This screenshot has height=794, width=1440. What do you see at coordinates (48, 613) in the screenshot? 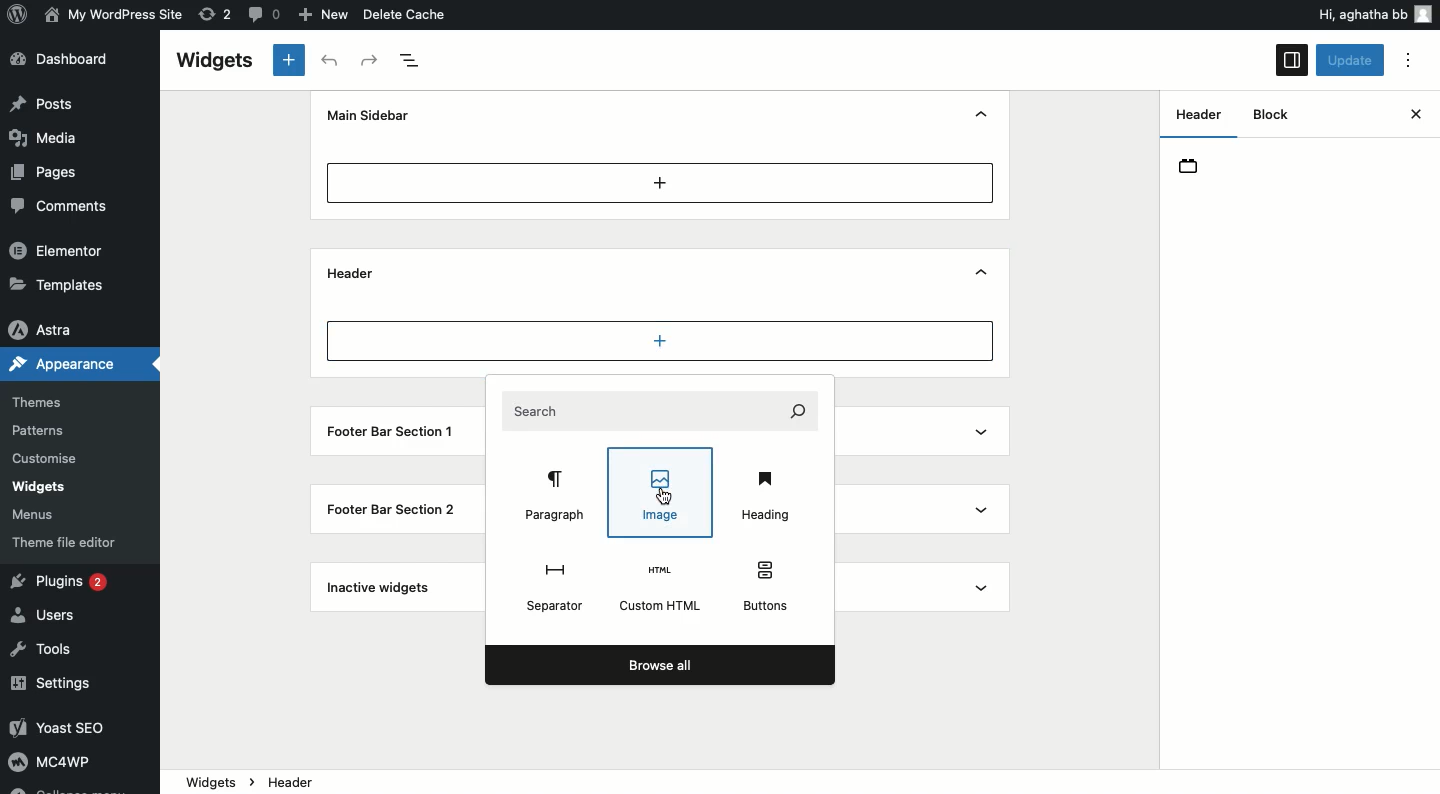
I see `Users` at bounding box center [48, 613].